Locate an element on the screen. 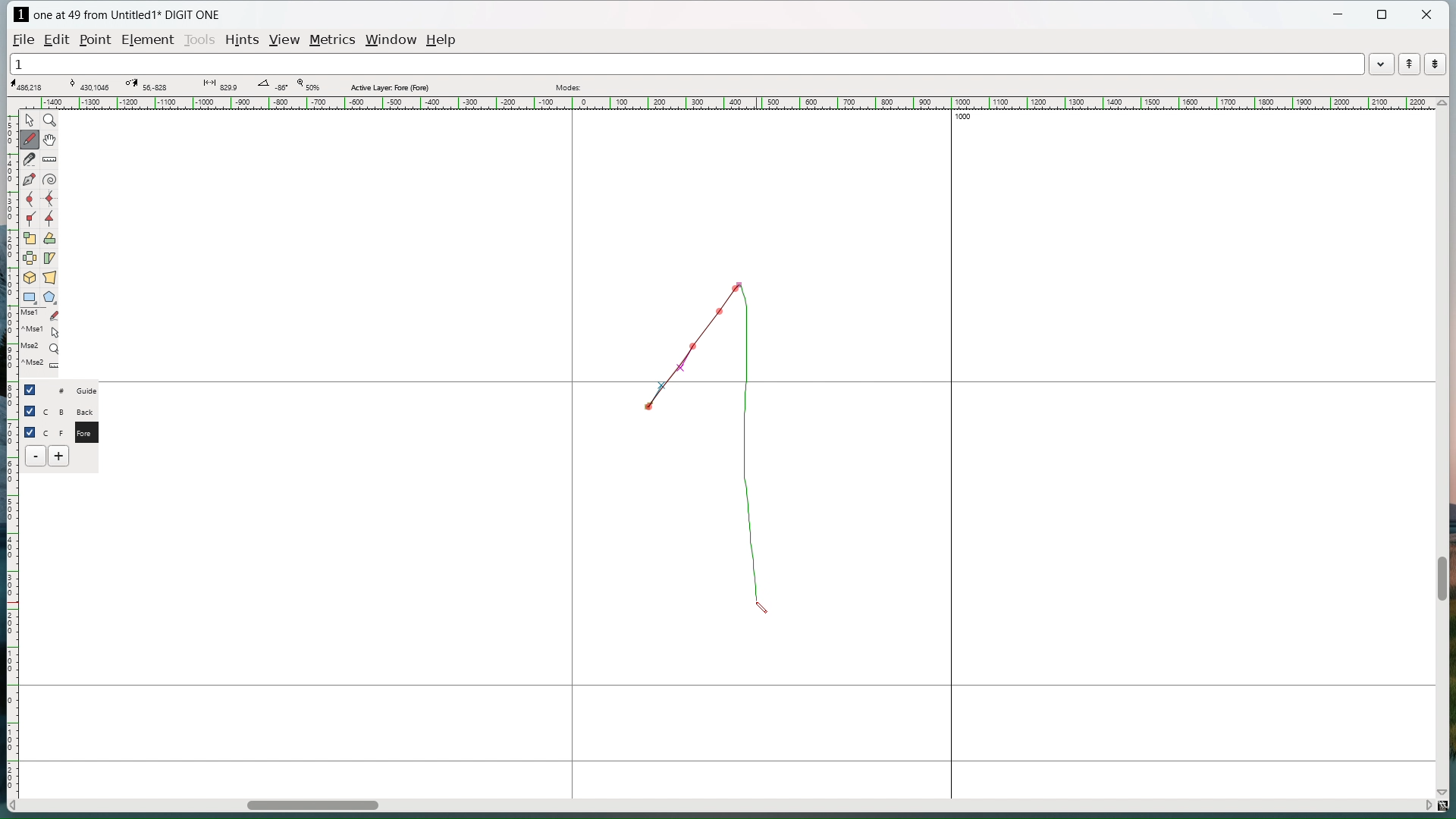 The image size is (1456, 819). C B Back is located at coordinates (71, 409).